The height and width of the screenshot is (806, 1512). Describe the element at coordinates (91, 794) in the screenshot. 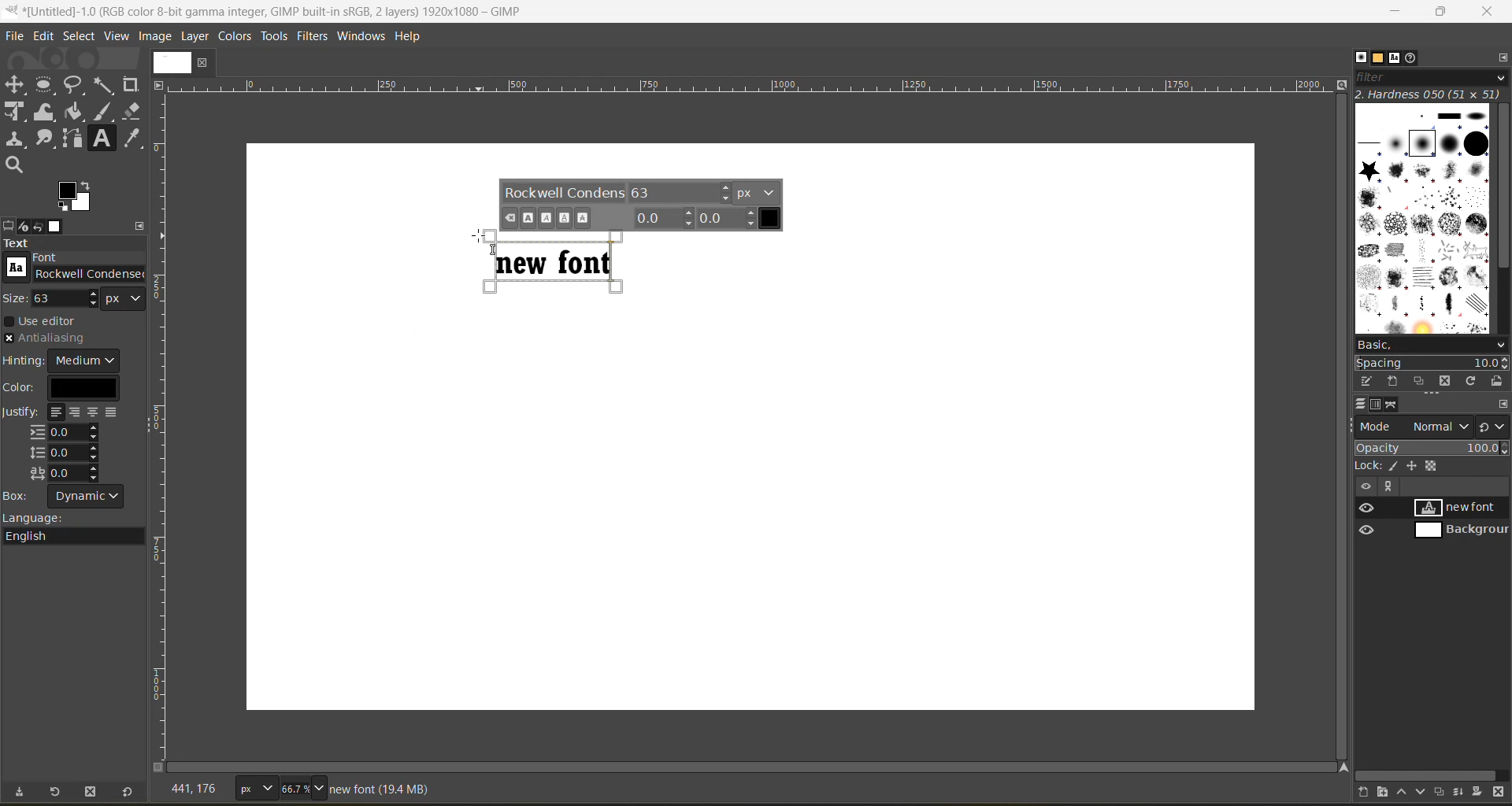

I see `delete tool preset` at that location.